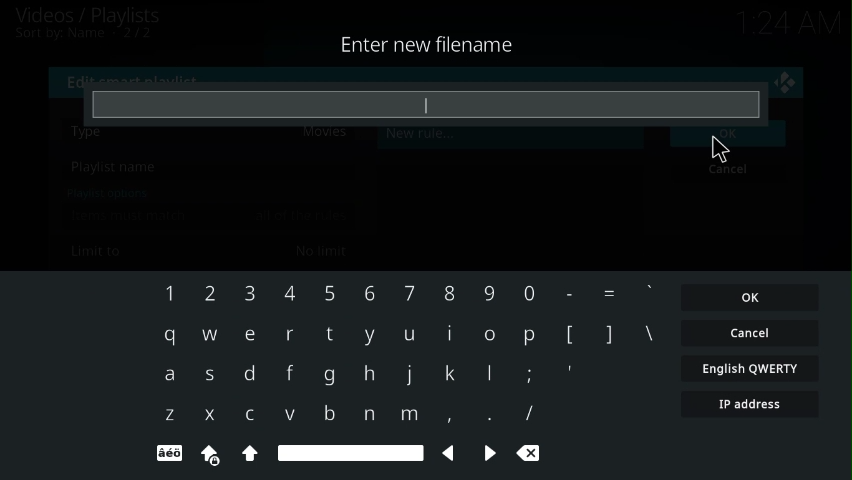 Image resolution: width=852 pixels, height=480 pixels. What do you see at coordinates (367, 336) in the screenshot?
I see `y` at bounding box center [367, 336].